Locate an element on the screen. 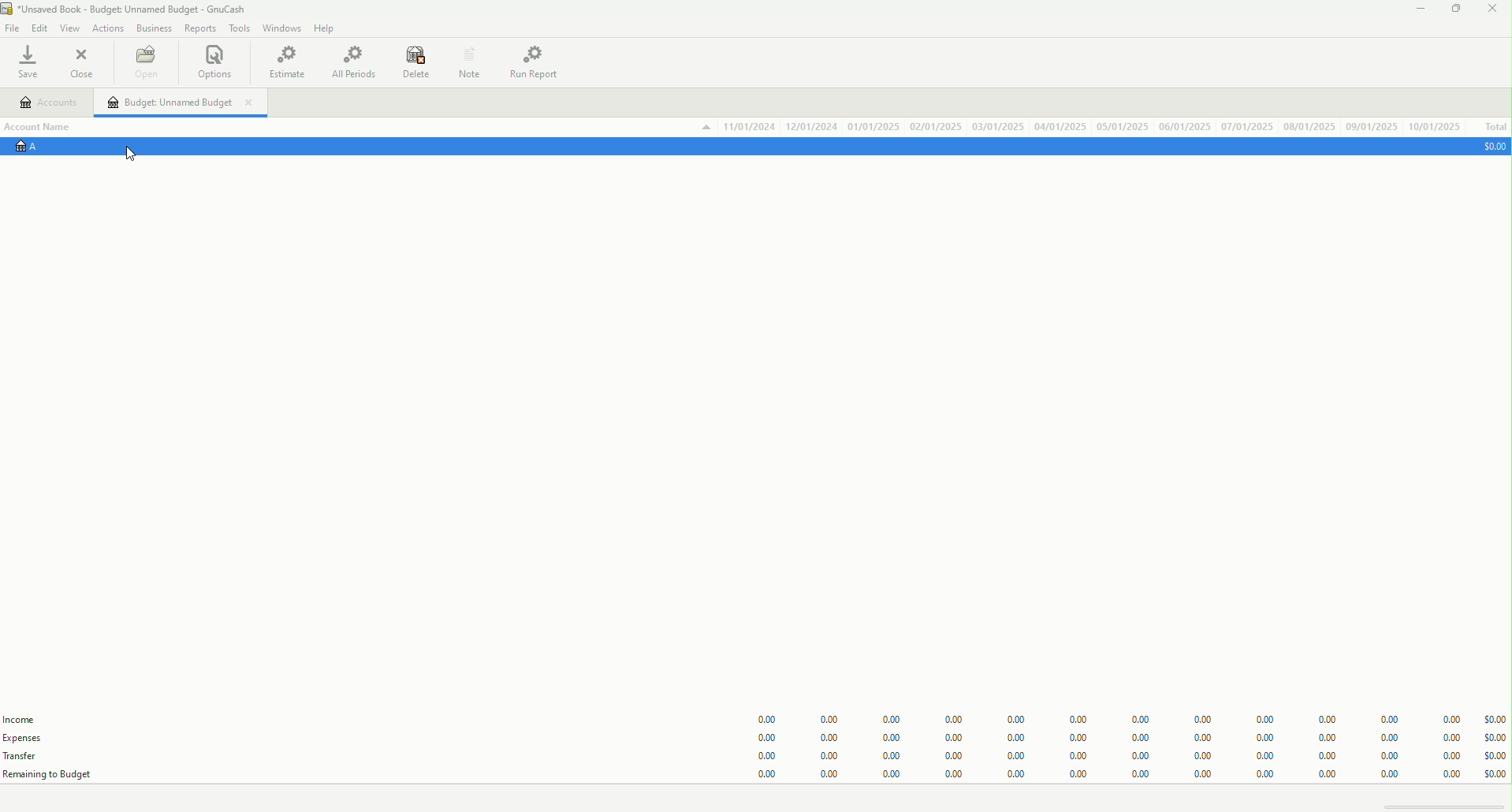 The width and height of the screenshot is (1512, 812). Edit is located at coordinates (37, 26).